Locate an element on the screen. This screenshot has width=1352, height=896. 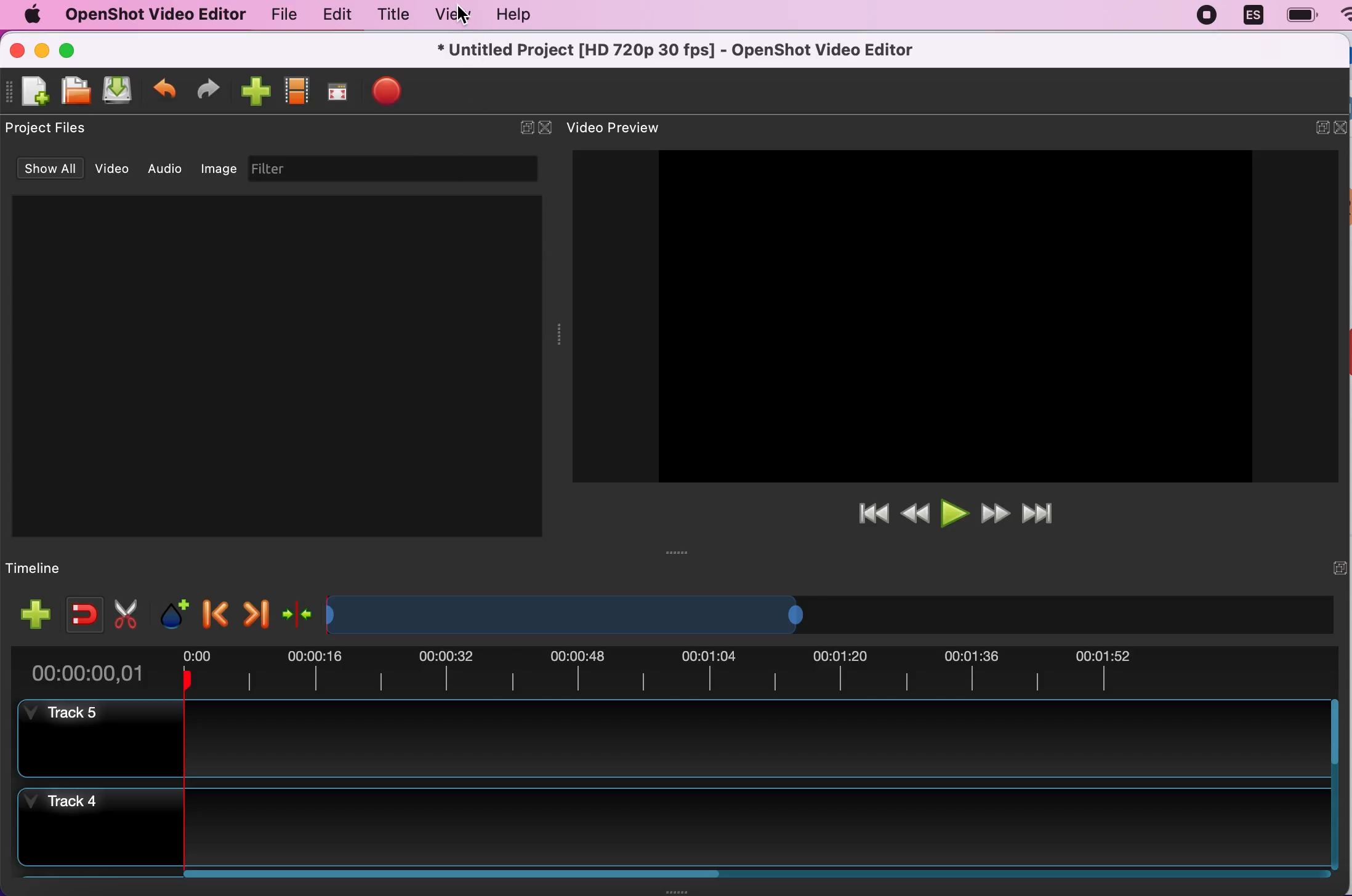
show all is located at coordinates (52, 170).